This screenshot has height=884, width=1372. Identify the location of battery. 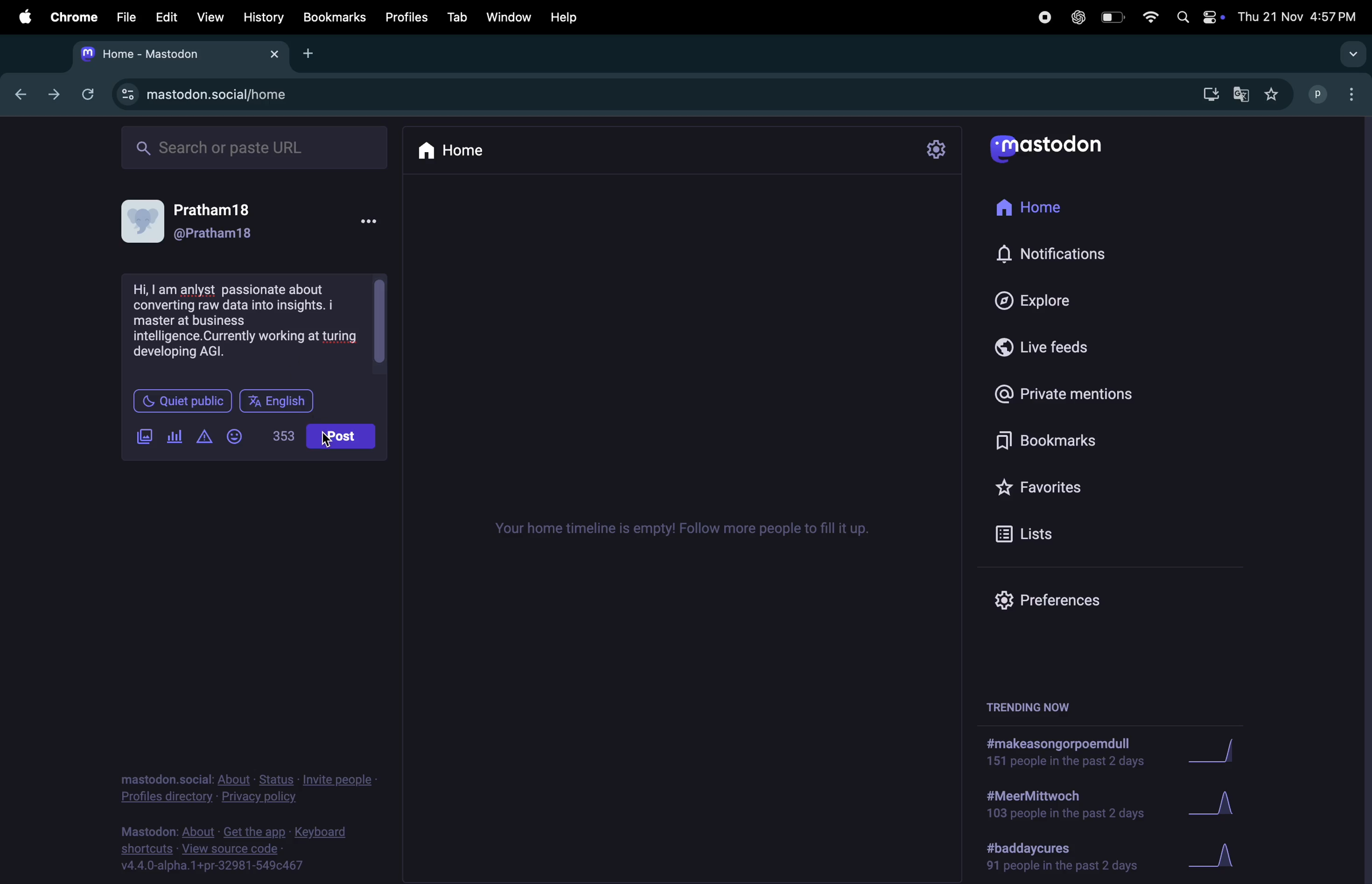
(1111, 19).